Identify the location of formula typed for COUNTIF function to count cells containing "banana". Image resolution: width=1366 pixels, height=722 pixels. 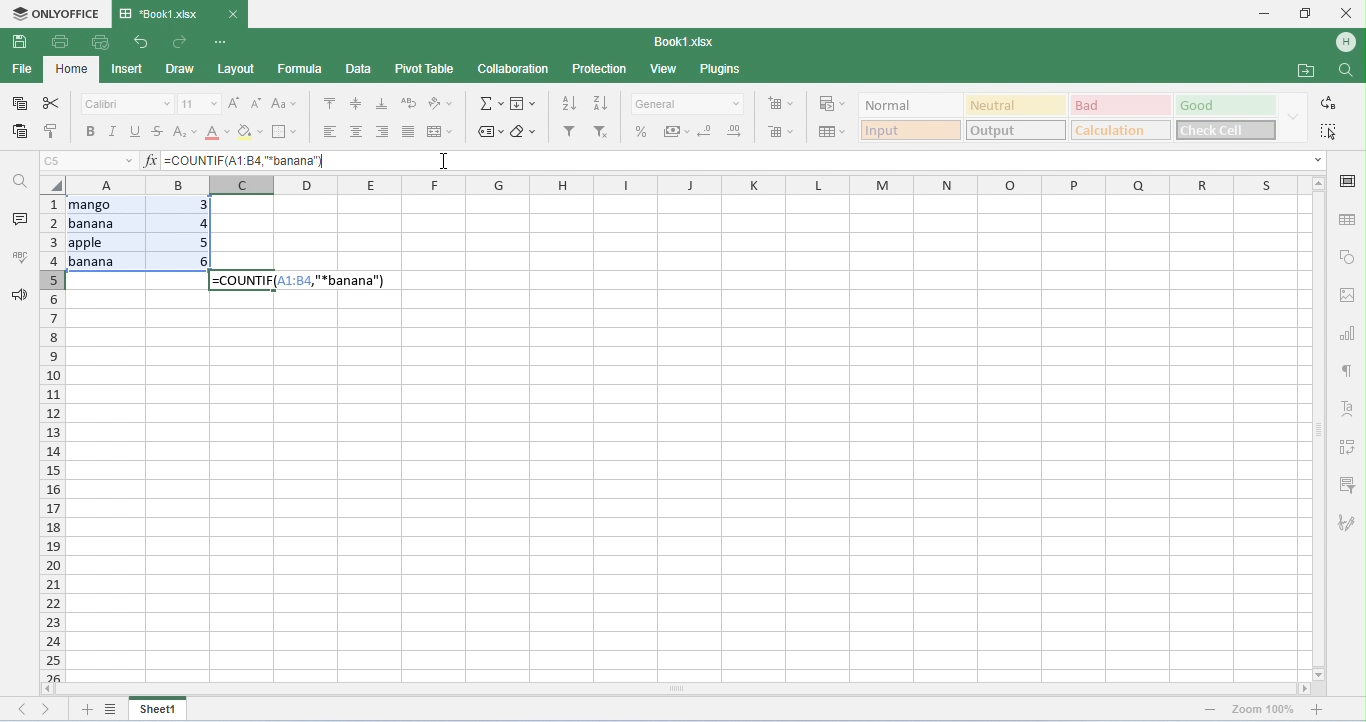
(250, 161).